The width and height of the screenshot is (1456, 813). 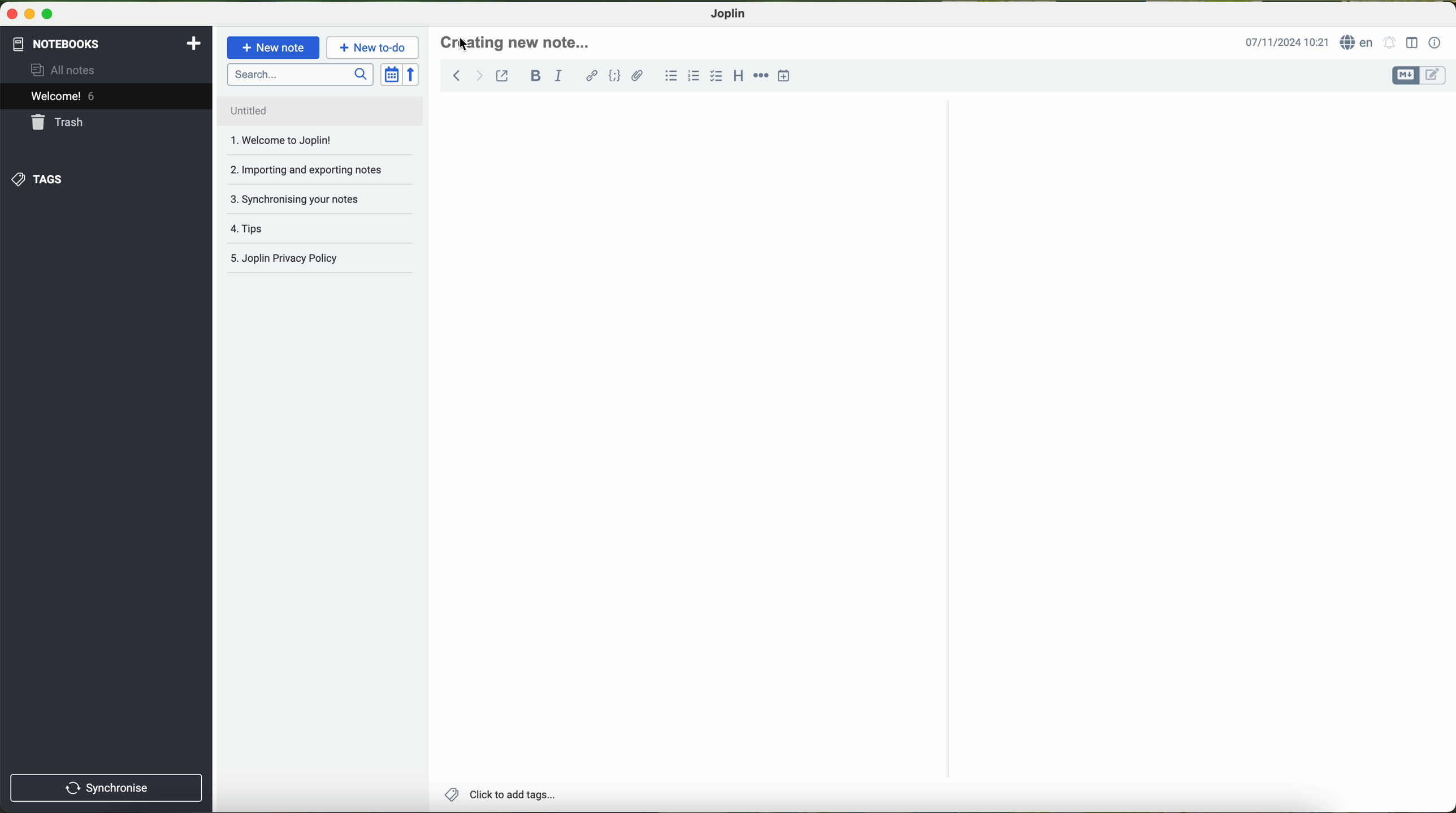 What do you see at coordinates (479, 75) in the screenshot?
I see `forward` at bounding box center [479, 75].